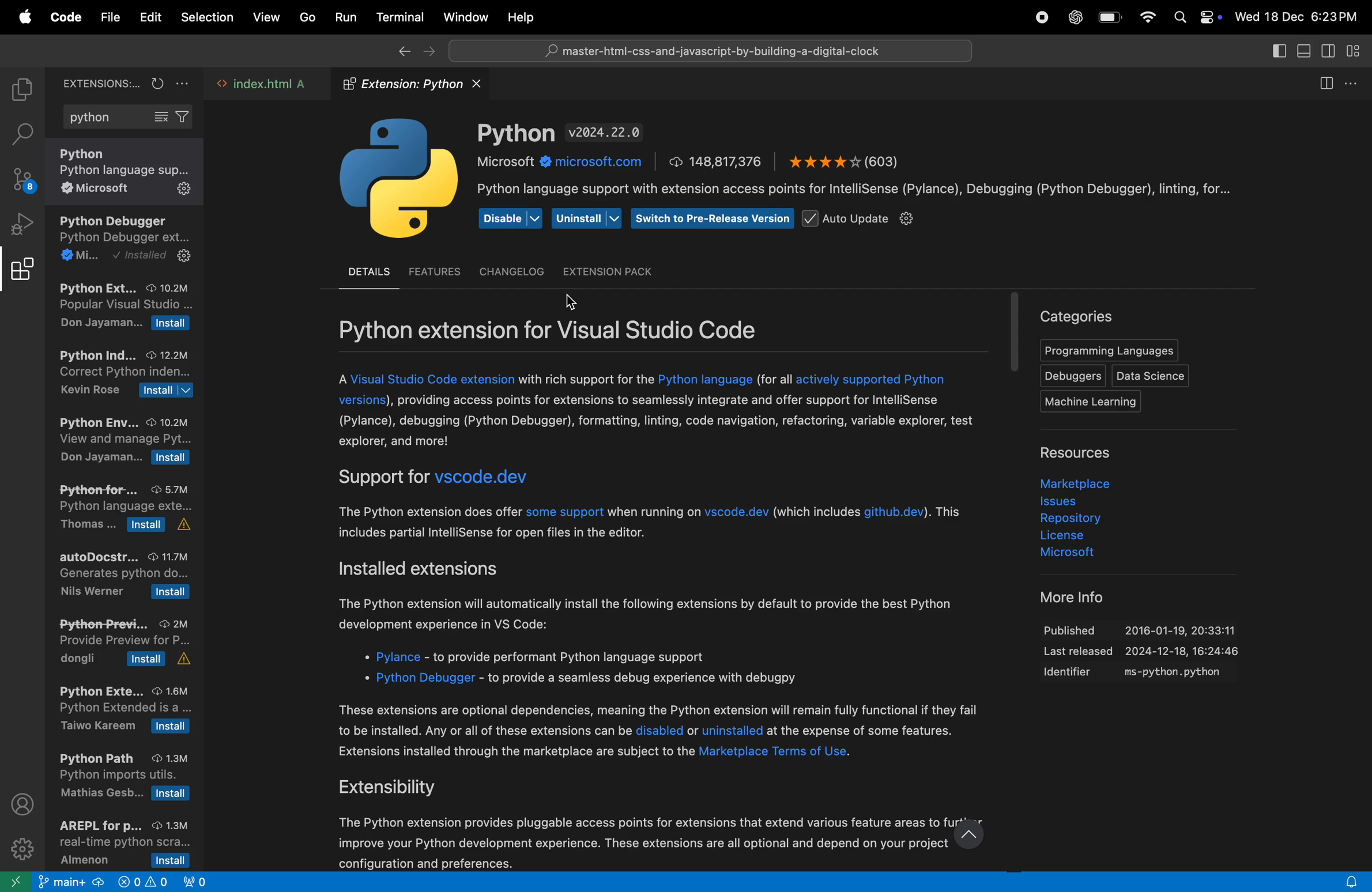 This screenshot has width=1372, height=892. I want to click on Extension python, so click(417, 84).